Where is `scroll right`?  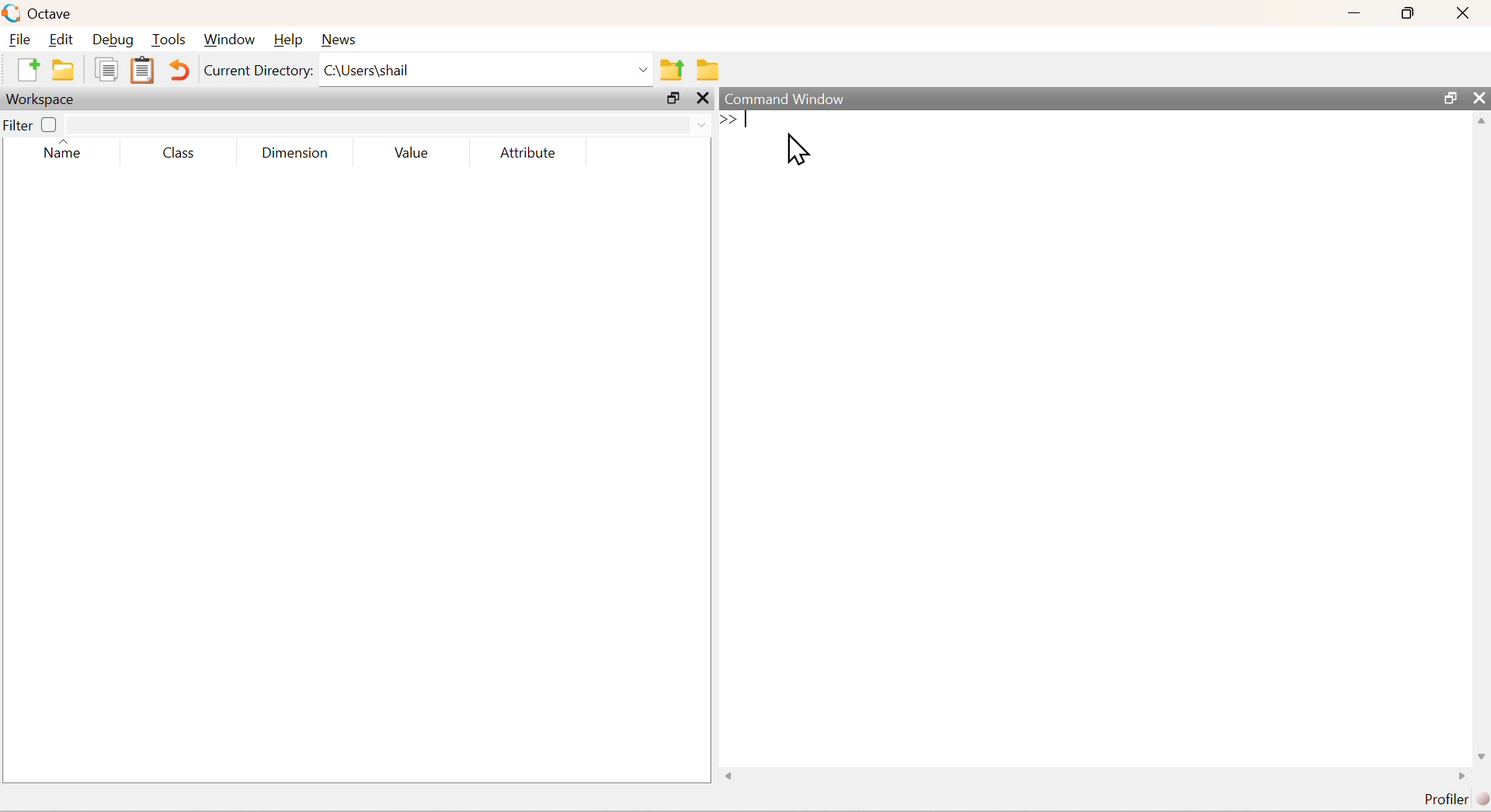
scroll right is located at coordinates (1460, 779).